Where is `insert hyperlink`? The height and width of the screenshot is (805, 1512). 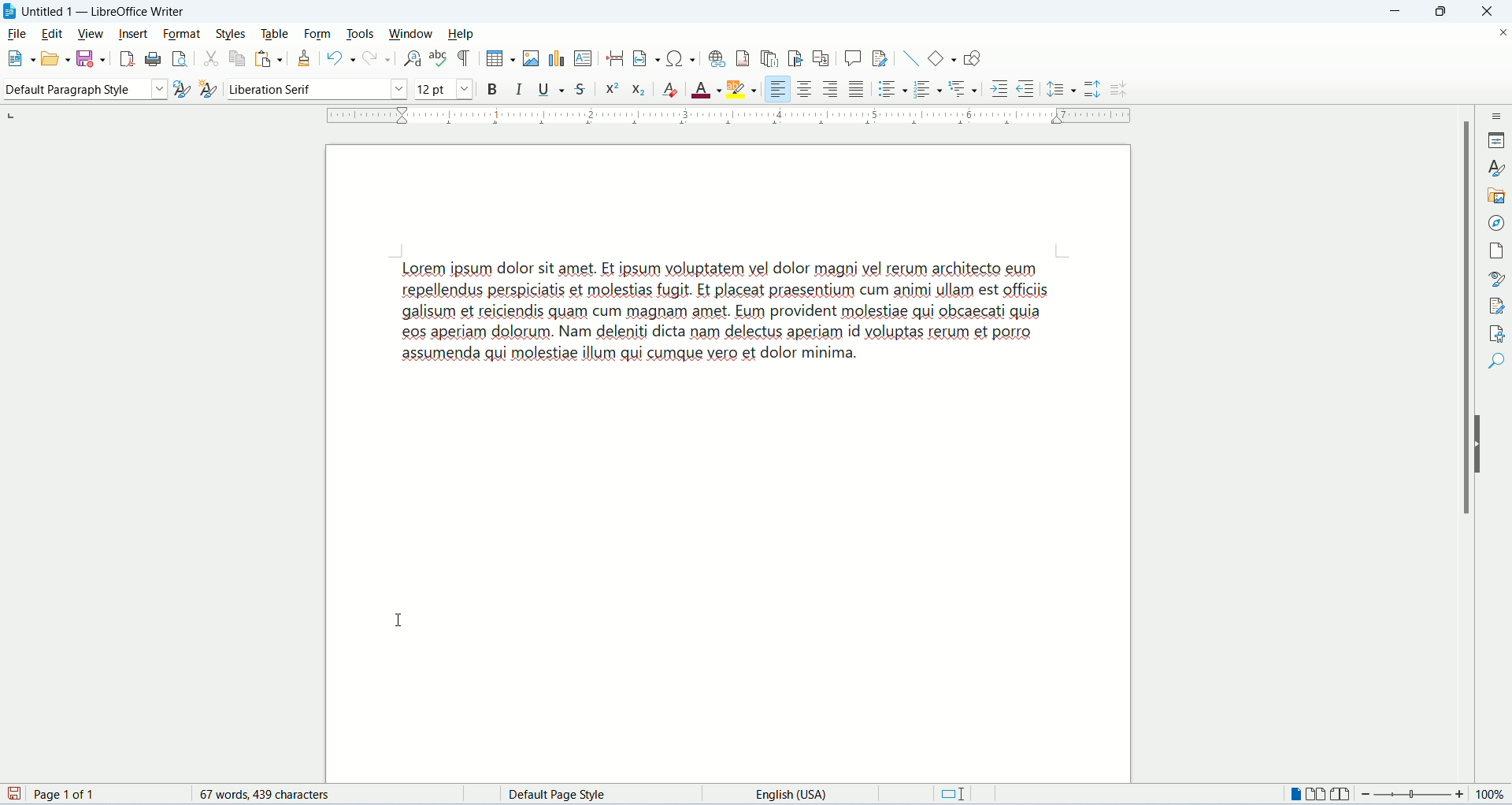 insert hyperlink is located at coordinates (715, 61).